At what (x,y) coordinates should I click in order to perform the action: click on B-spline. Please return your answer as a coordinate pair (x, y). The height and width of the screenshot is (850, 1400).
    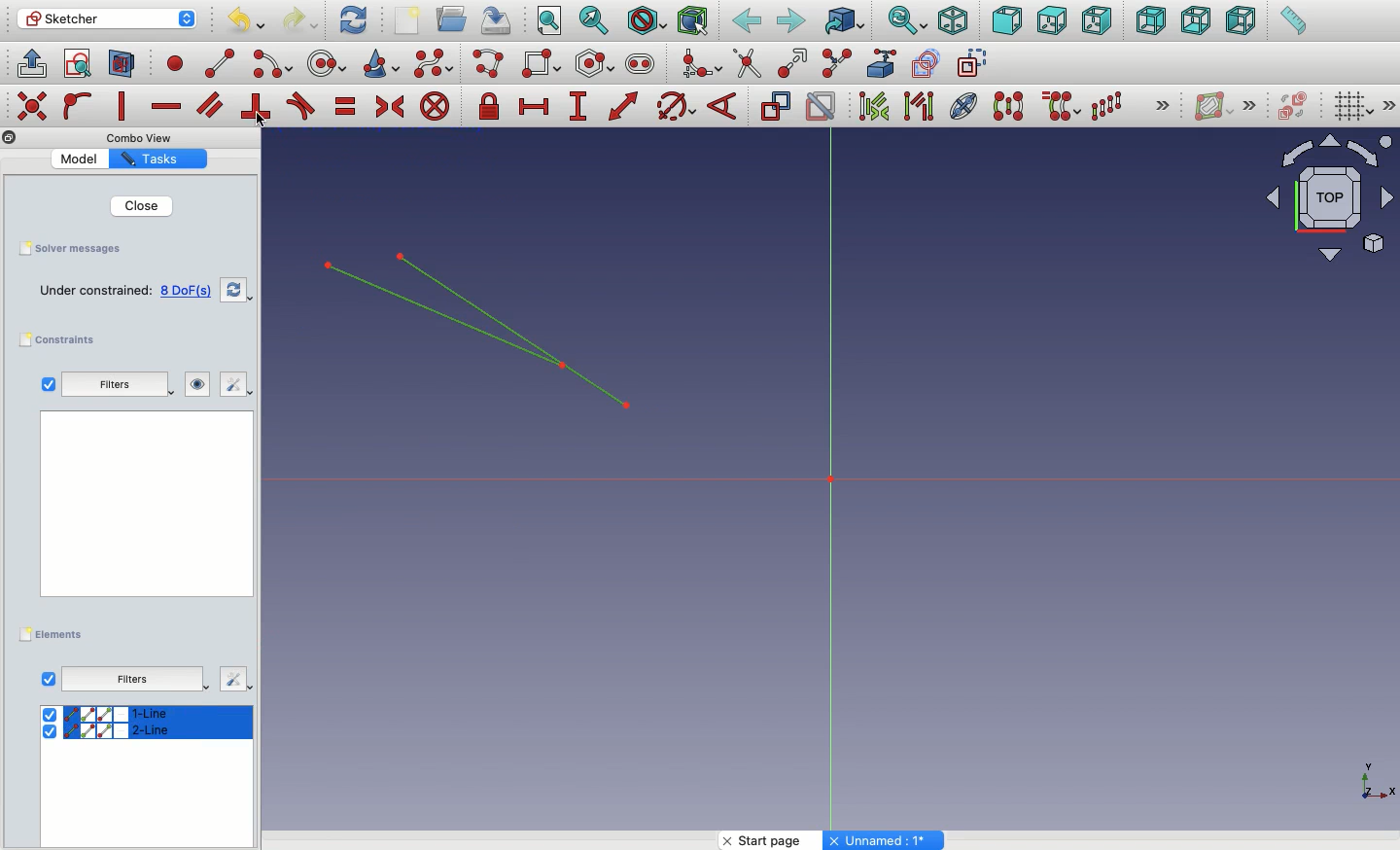
    Looking at the image, I should click on (434, 64).